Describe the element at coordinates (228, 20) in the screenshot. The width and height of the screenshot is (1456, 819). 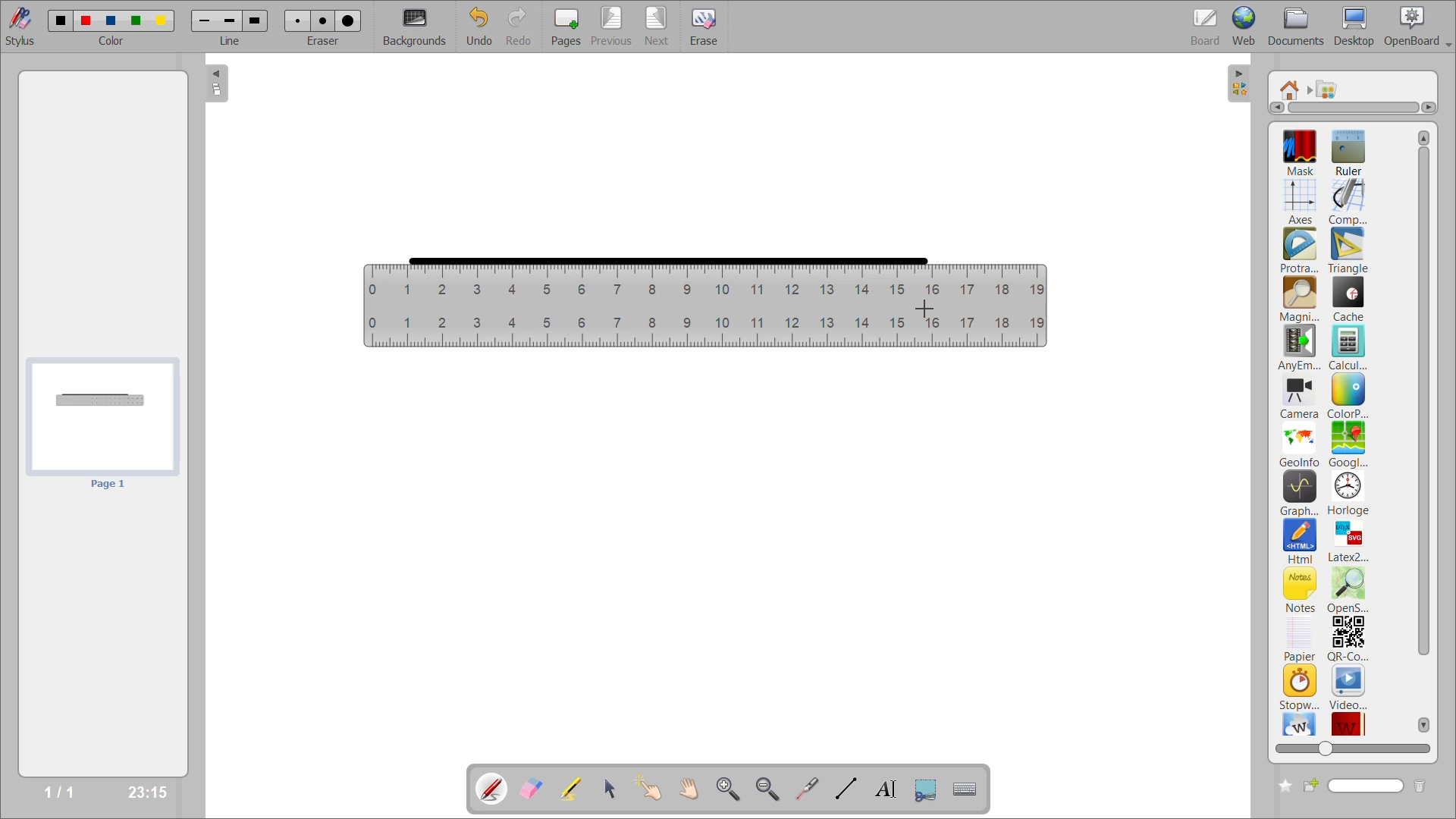
I see `line 2` at that location.